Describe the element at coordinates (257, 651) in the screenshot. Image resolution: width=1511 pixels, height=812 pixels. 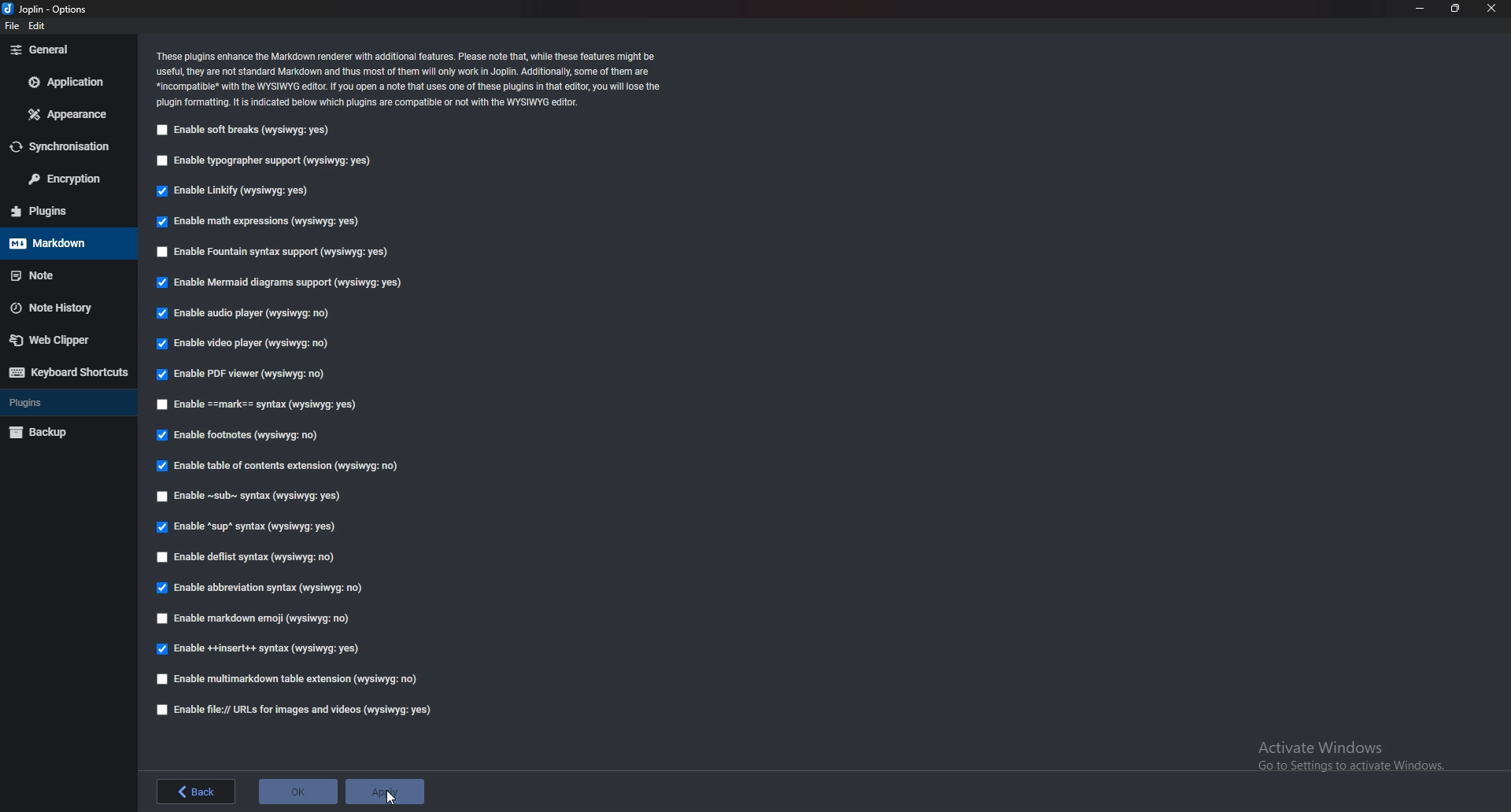
I see `Edible insert syntax` at that location.